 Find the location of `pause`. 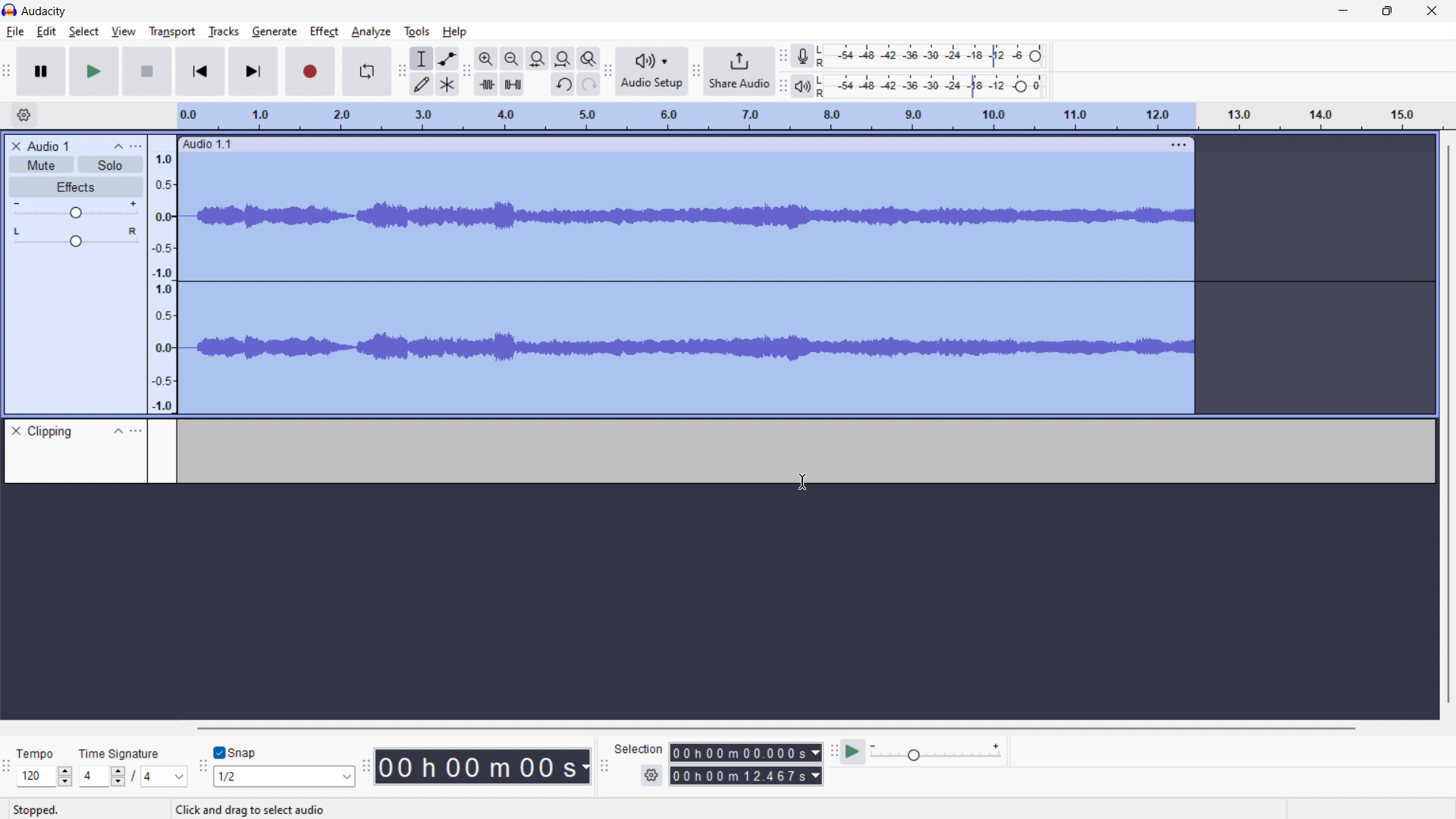

pause is located at coordinates (42, 71).